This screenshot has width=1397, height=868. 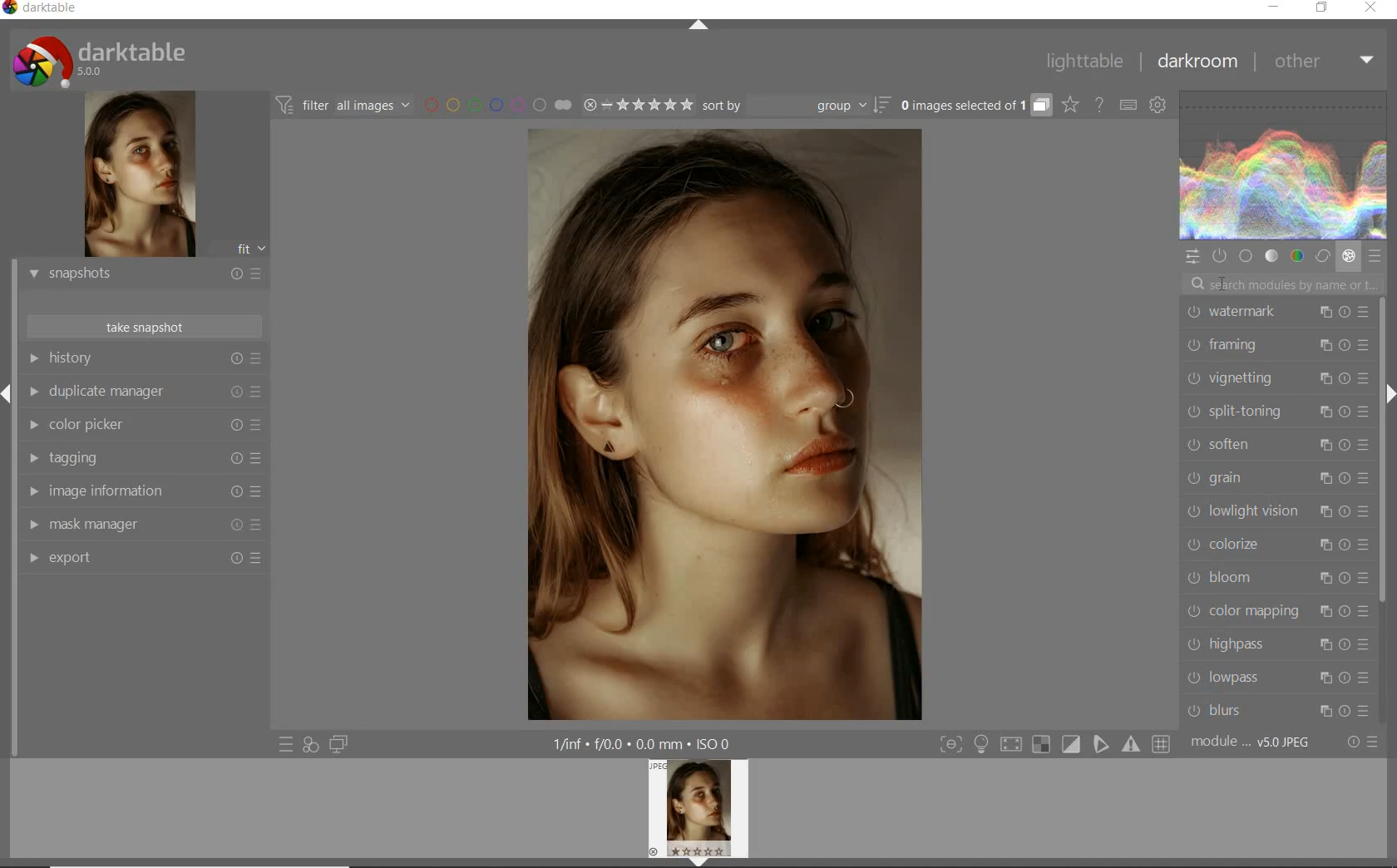 What do you see at coordinates (698, 27) in the screenshot?
I see `expand/collapse` at bounding box center [698, 27].